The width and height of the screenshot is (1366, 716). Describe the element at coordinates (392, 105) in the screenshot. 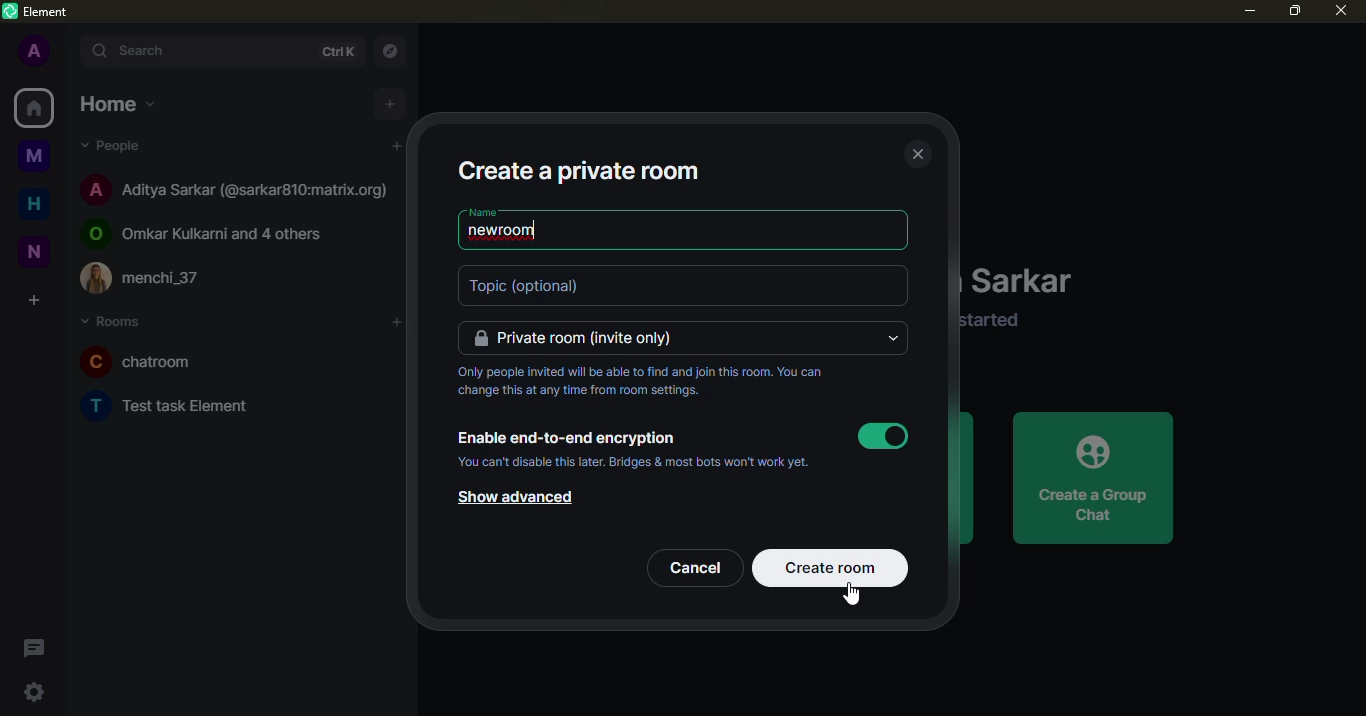

I see `add` at that location.